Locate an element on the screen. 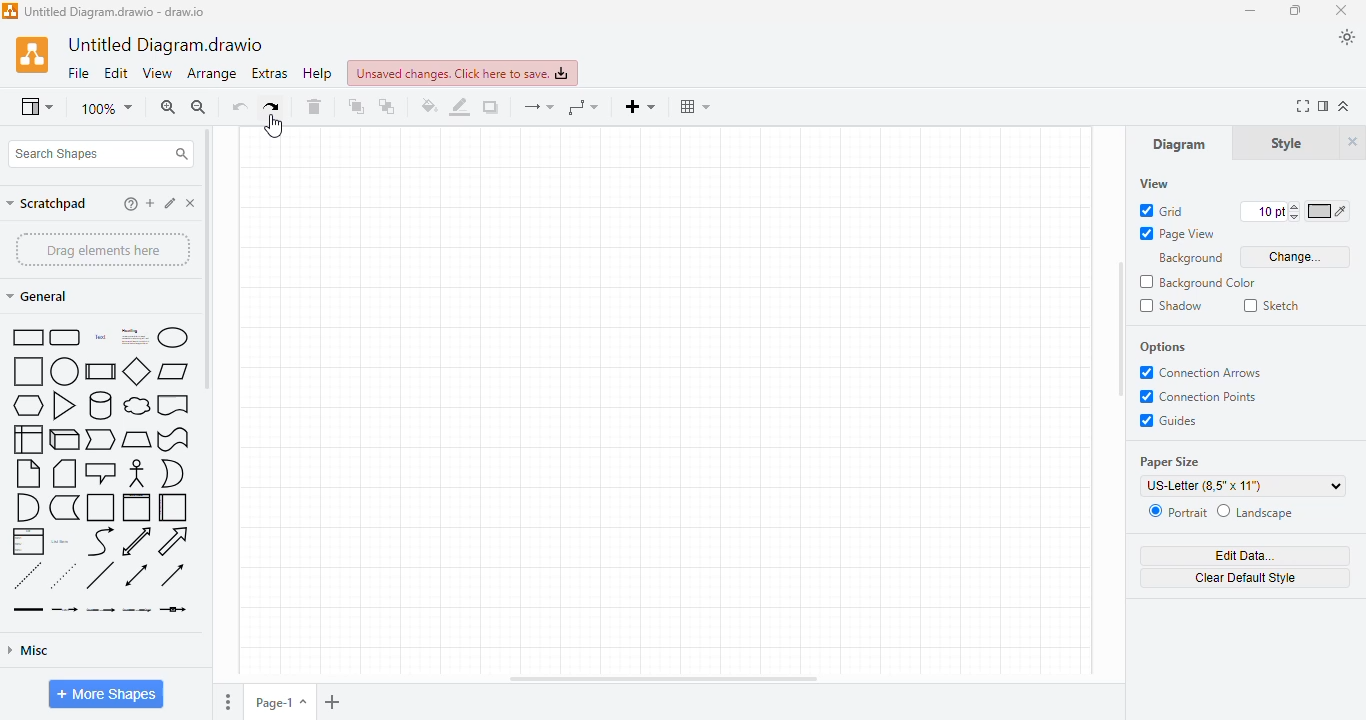 The image size is (1366, 720). hide is located at coordinates (1352, 140).